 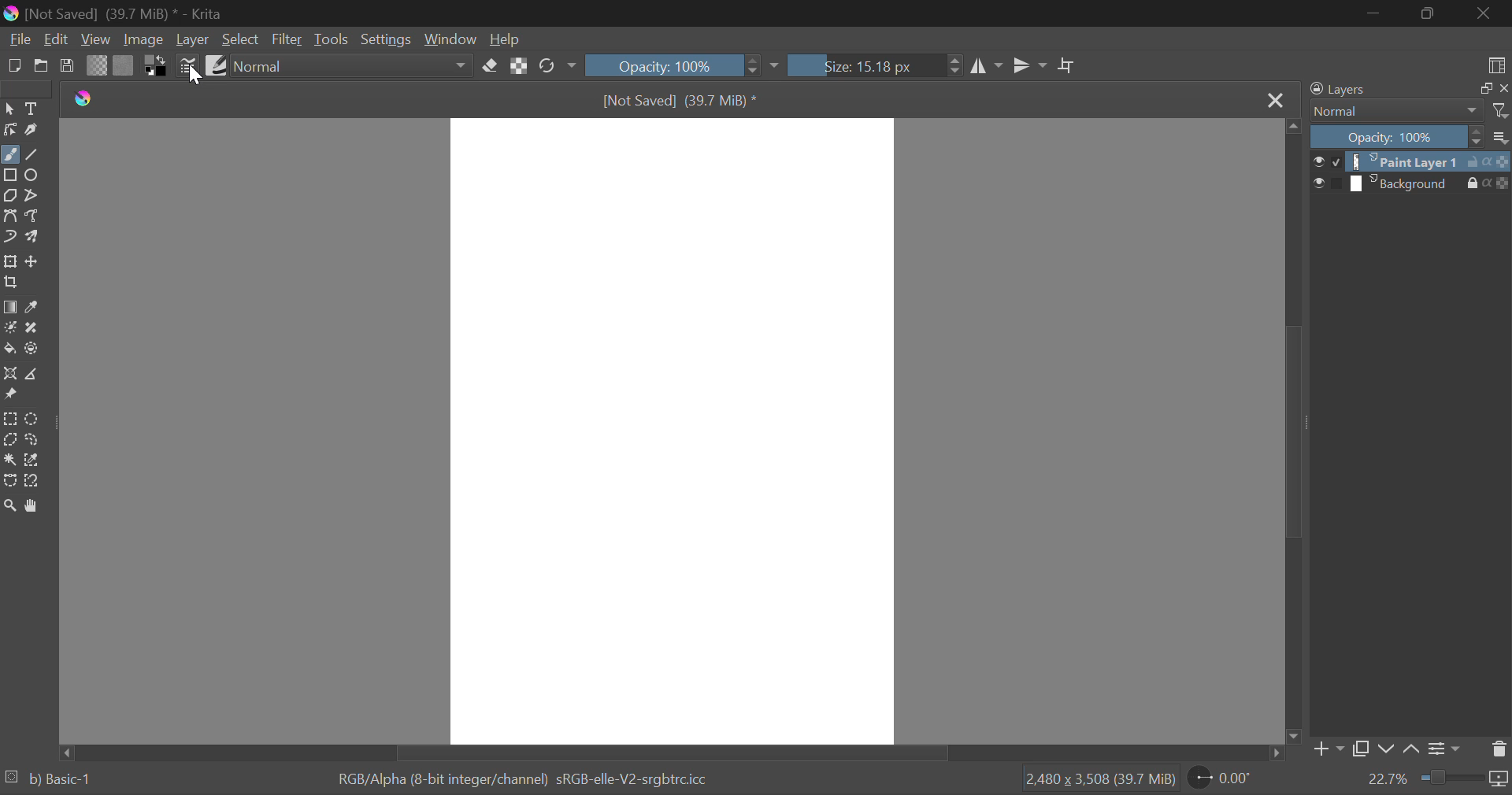 What do you see at coordinates (10, 154) in the screenshot?
I see `Freehand` at bounding box center [10, 154].